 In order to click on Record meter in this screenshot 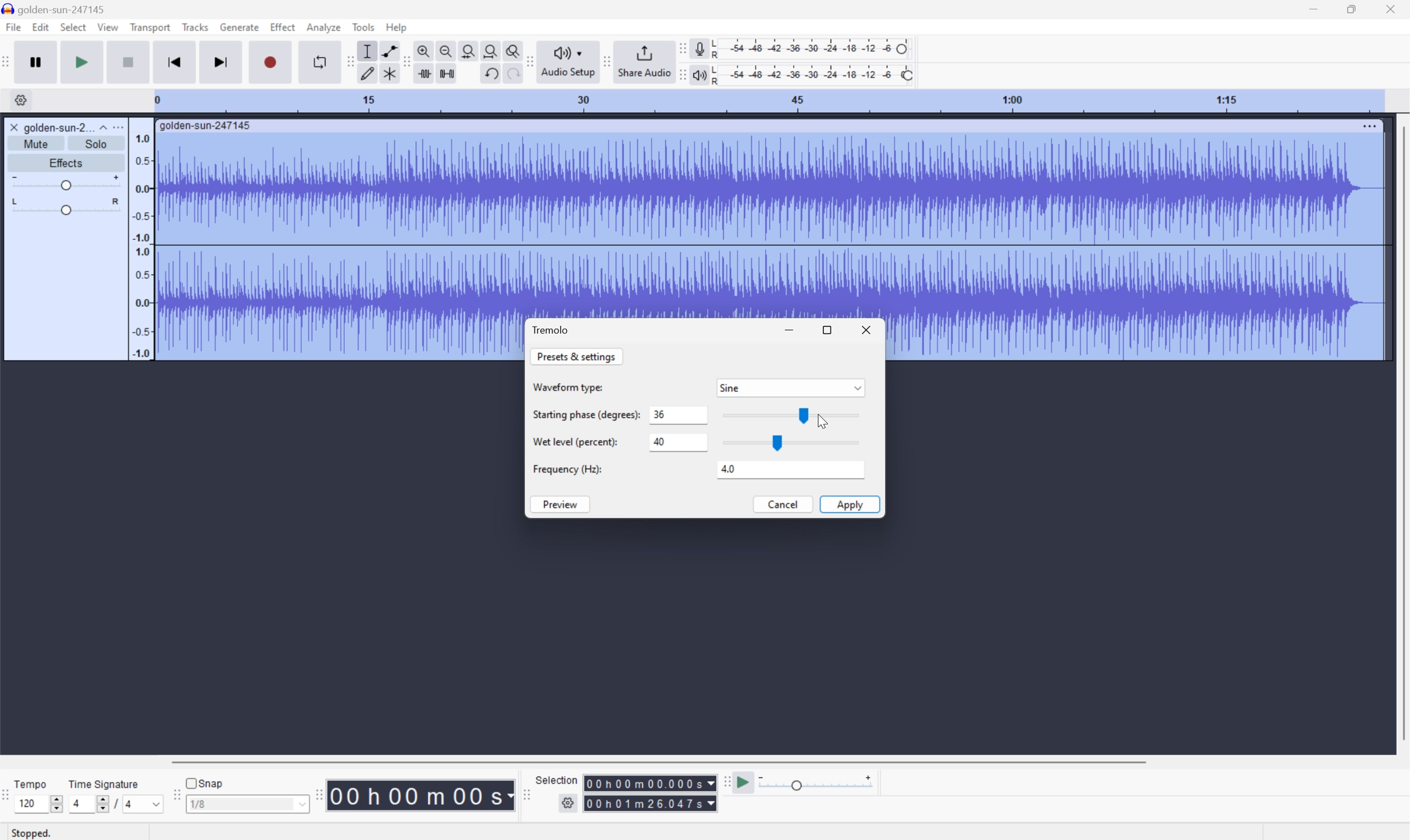, I will do `click(699, 48)`.